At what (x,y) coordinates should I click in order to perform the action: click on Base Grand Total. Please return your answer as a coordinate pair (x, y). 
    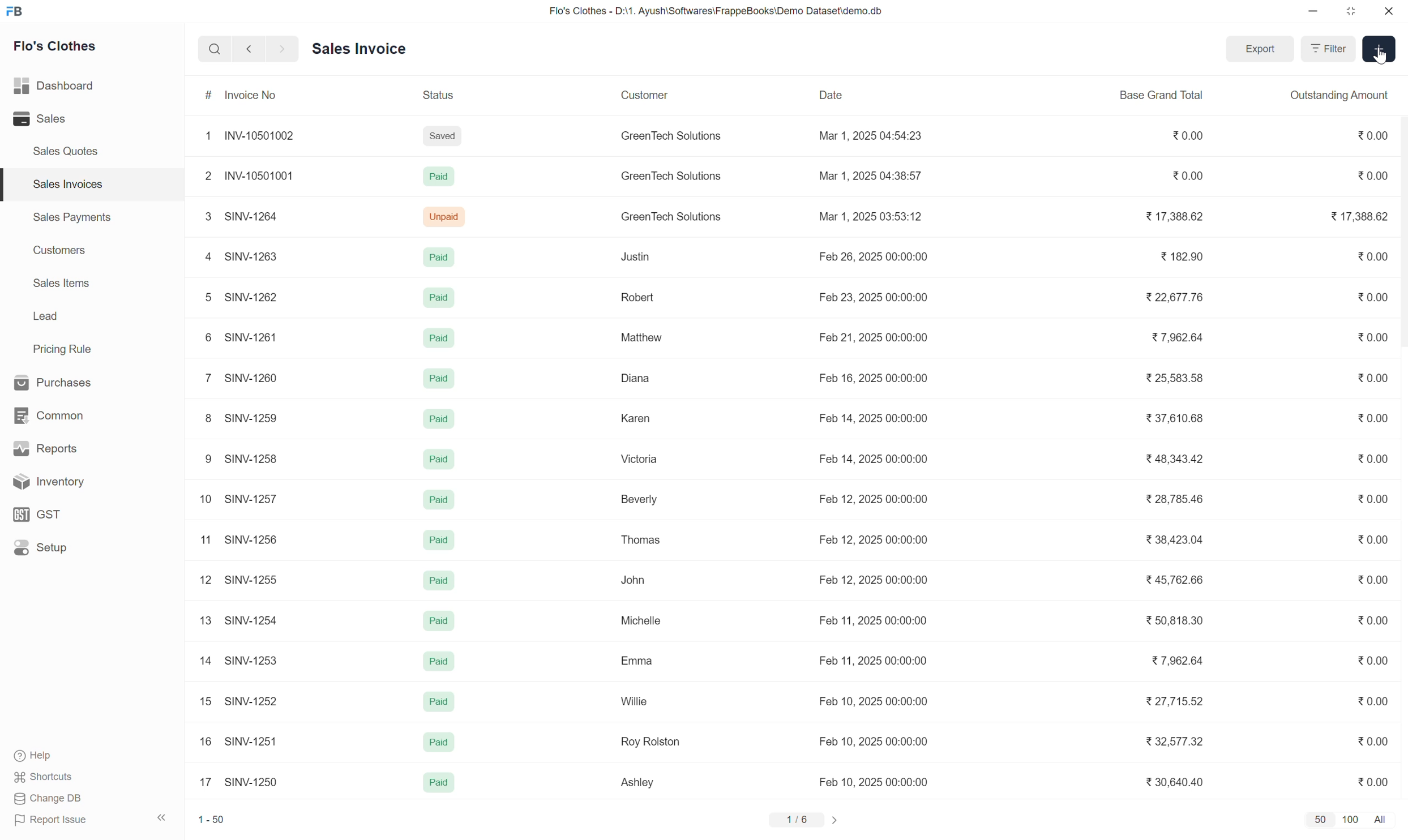
    Looking at the image, I should click on (1165, 96).